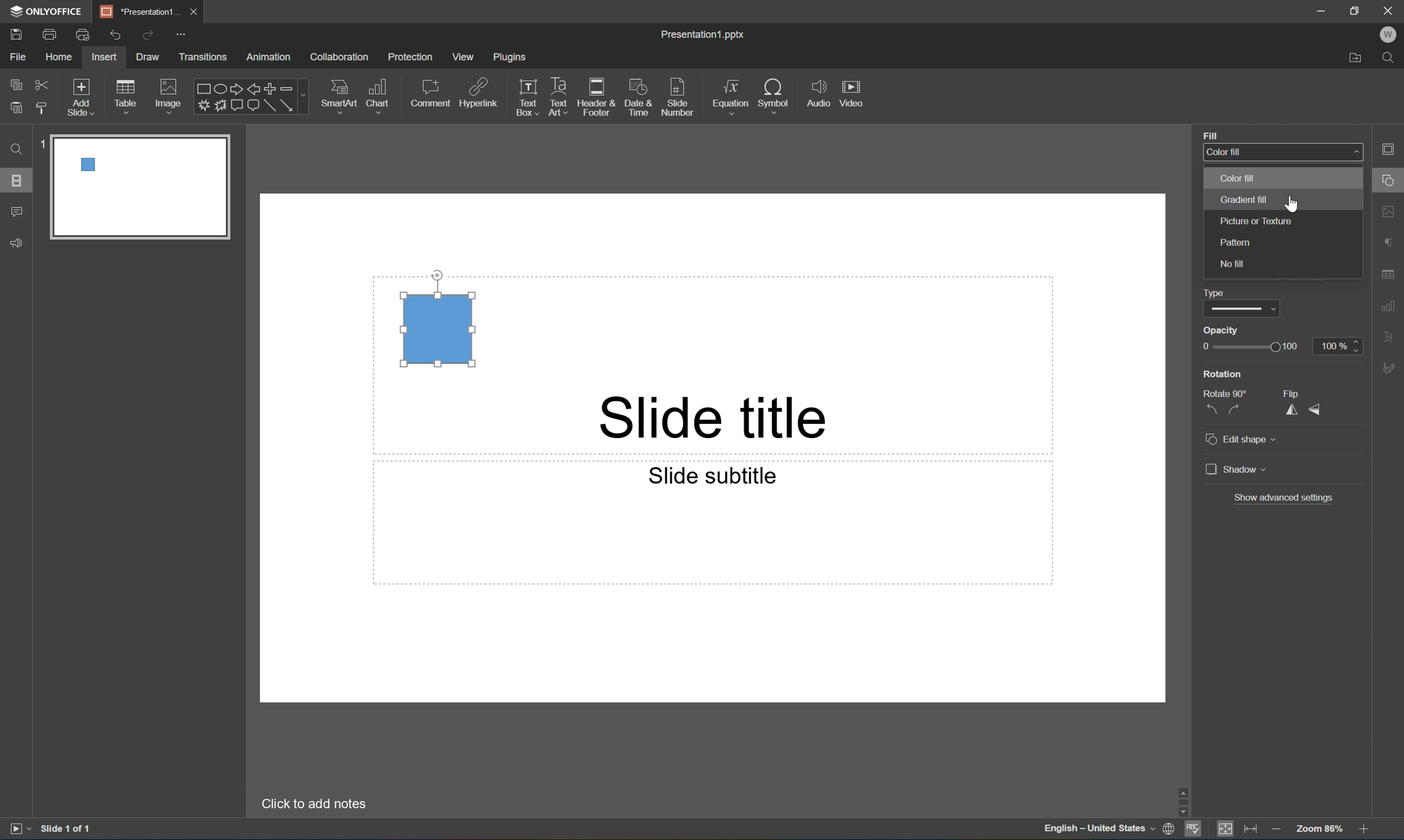 Image resolution: width=1404 pixels, height=840 pixels. I want to click on Transitions, so click(203, 58).